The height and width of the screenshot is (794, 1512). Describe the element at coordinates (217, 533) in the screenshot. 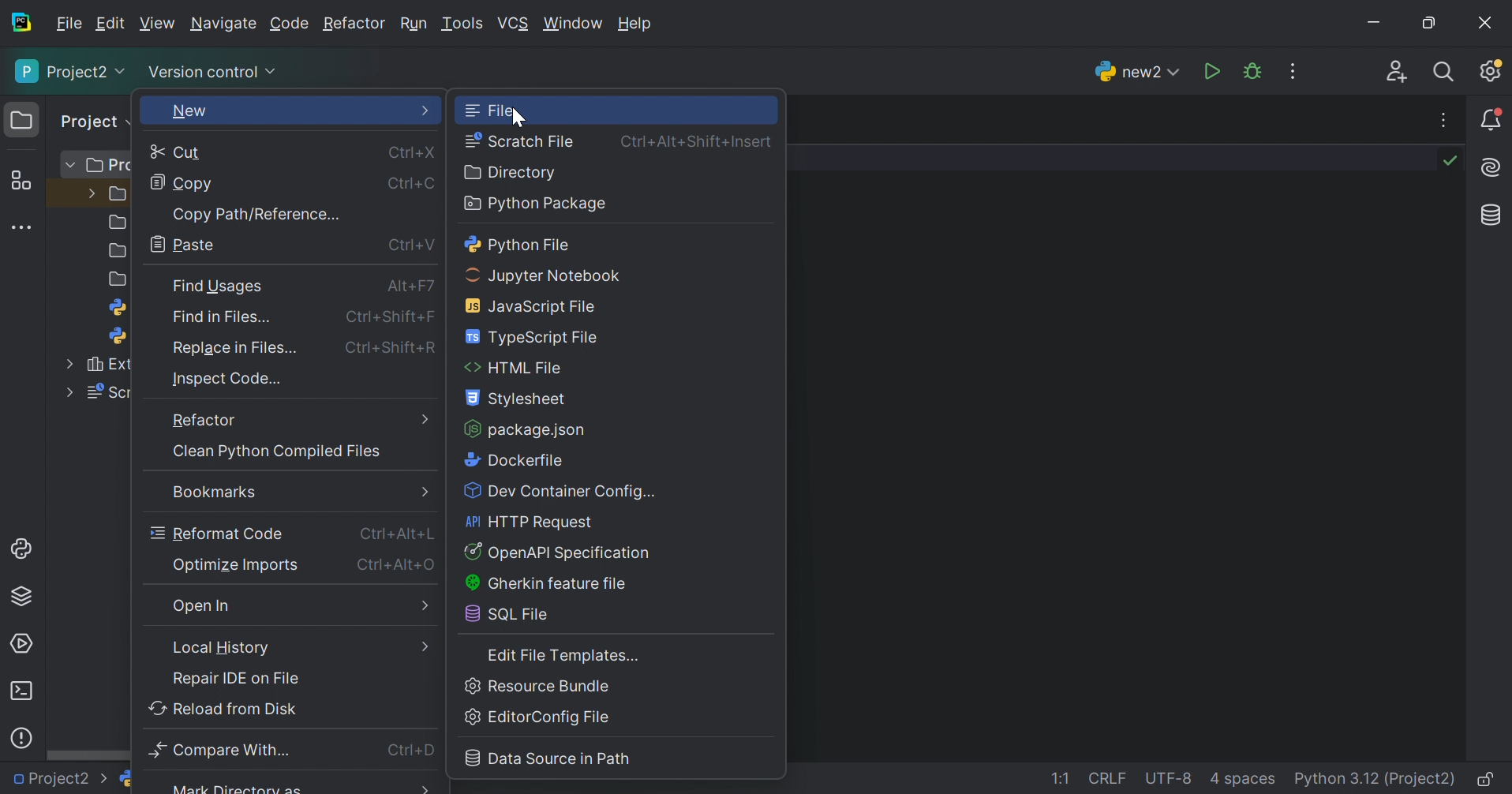

I see `Reformat code` at that location.